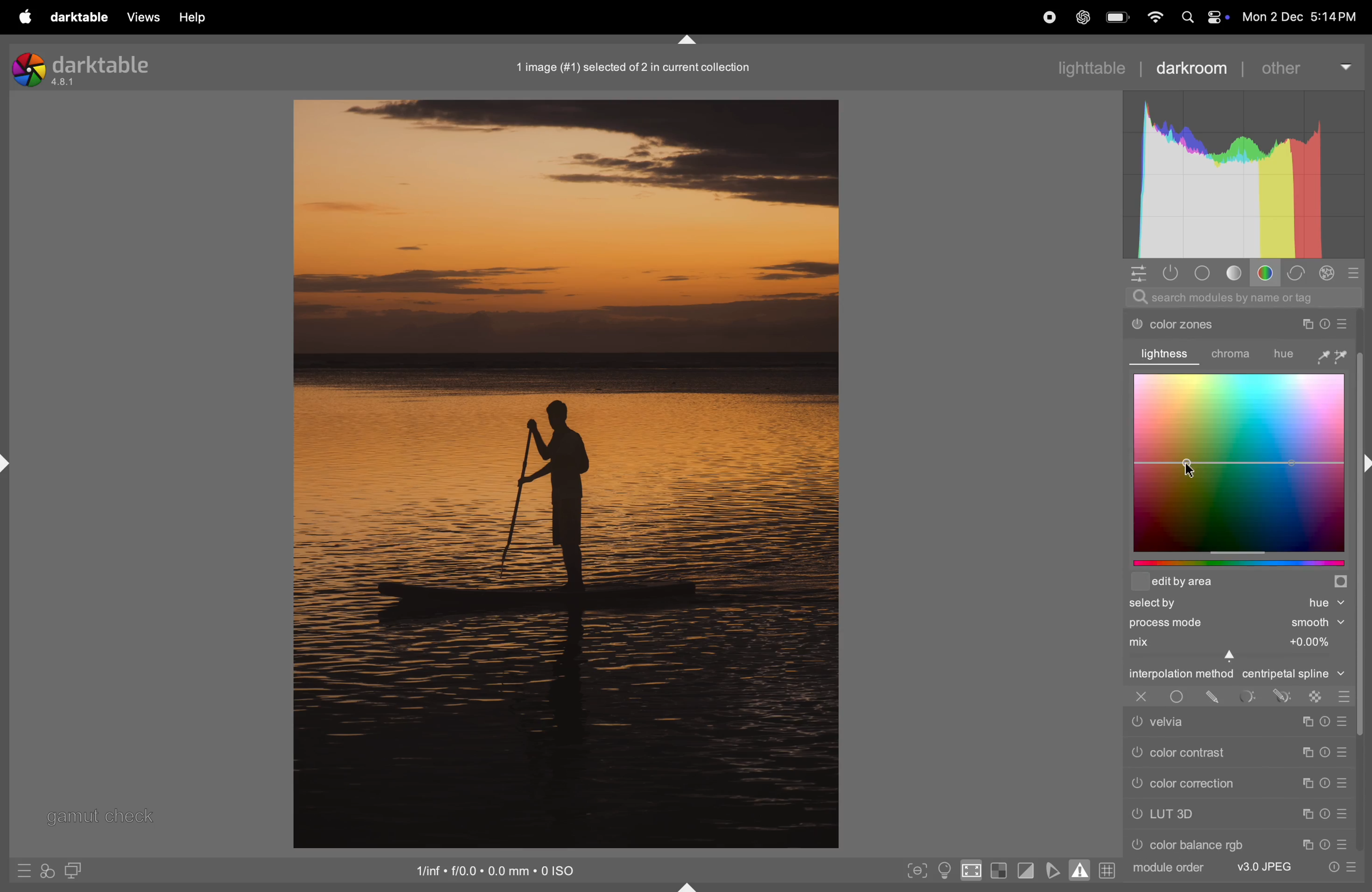  What do you see at coordinates (1212, 697) in the screenshot?
I see `` at bounding box center [1212, 697].